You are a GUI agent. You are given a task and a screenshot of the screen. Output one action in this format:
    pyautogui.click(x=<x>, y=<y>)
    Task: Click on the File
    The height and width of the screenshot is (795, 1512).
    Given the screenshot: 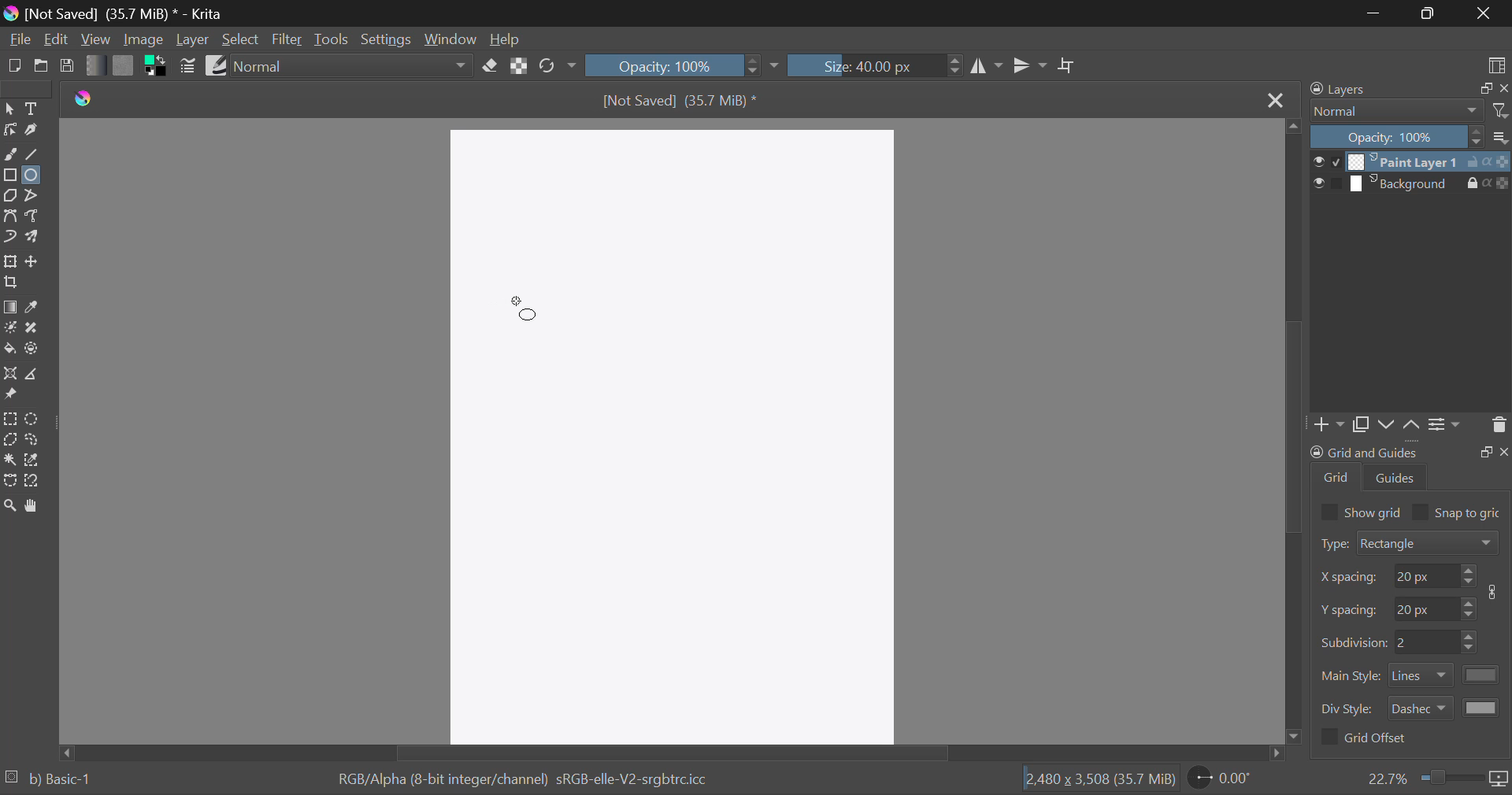 What is the action you would take?
    pyautogui.click(x=19, y=42)
    